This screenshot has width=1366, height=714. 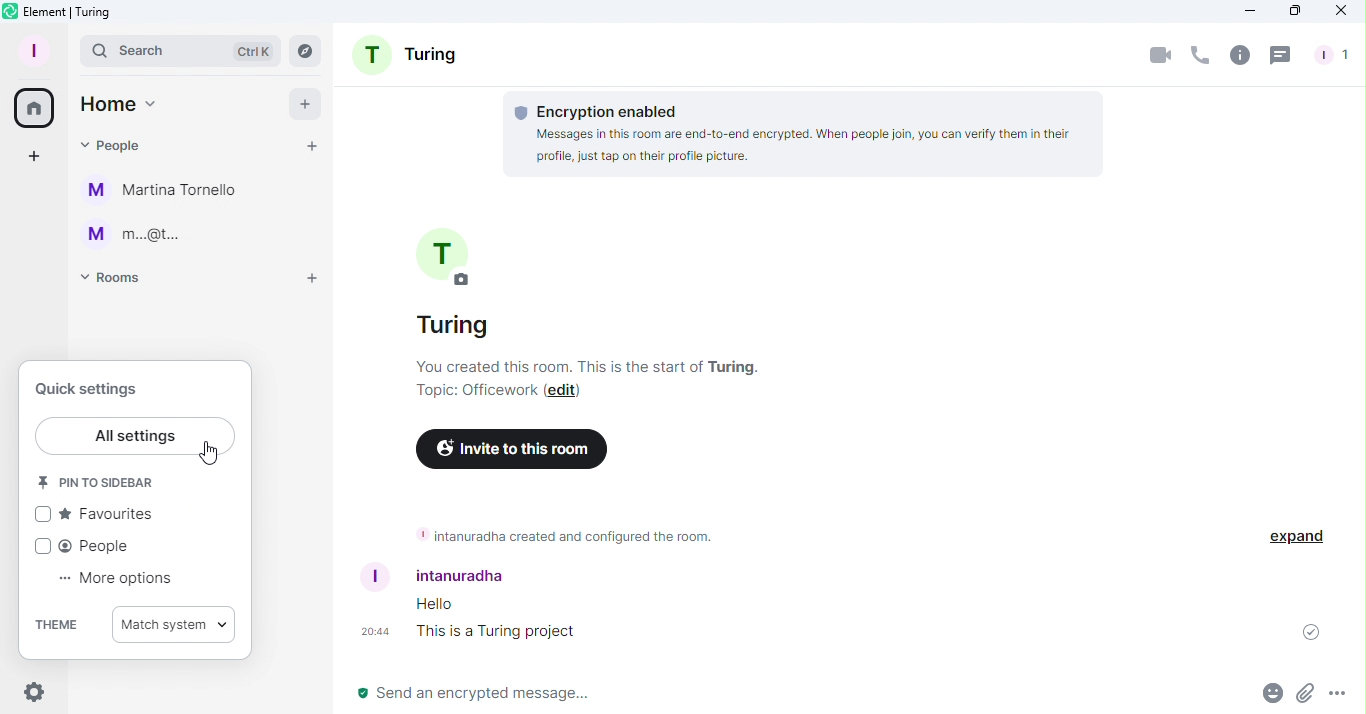 I want to click on dots, so click(x=53, y=579).